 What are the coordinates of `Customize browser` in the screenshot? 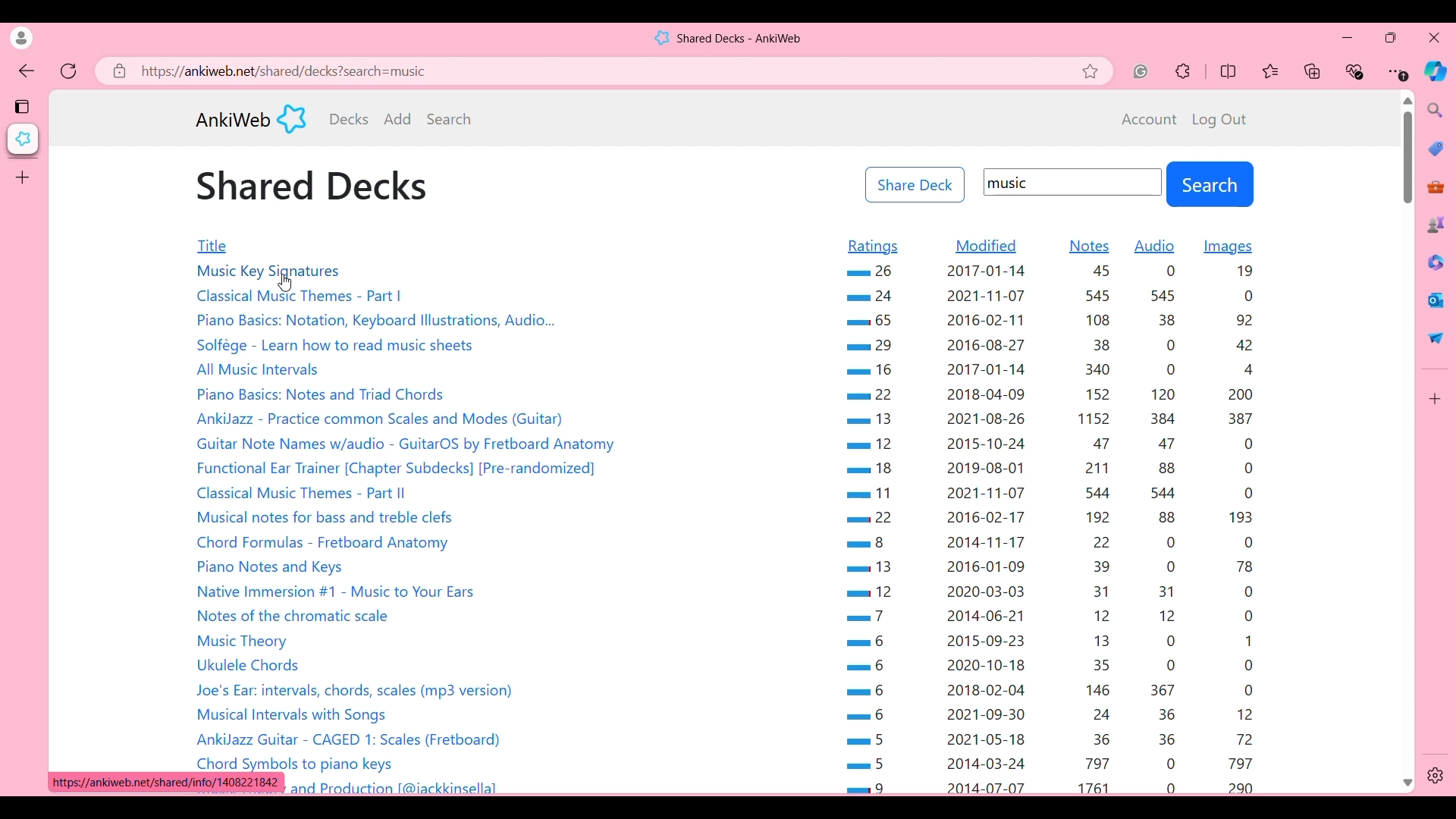 It's located at (1436, 399).